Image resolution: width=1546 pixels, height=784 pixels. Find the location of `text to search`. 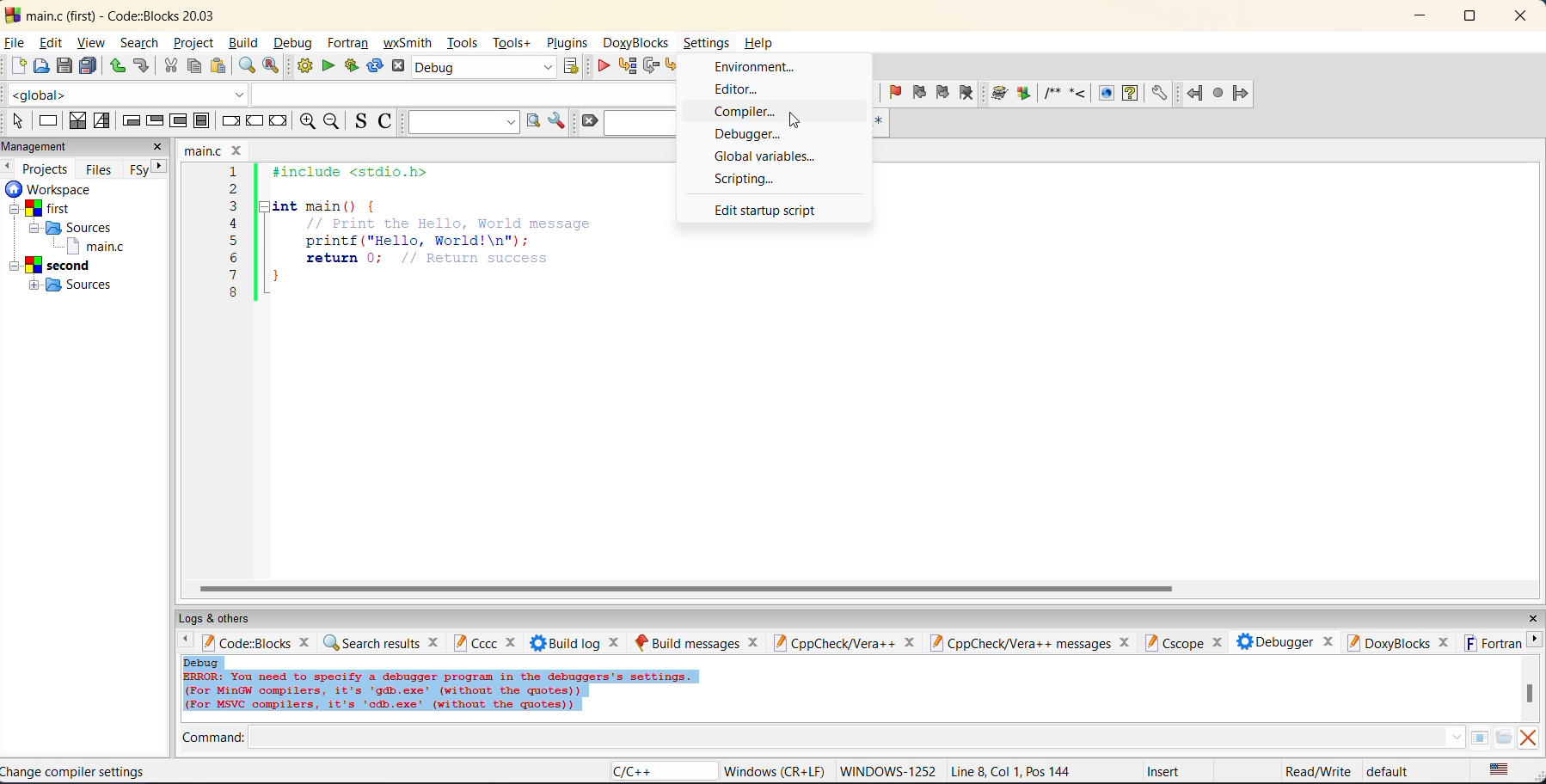

text to search is located at coordinates (466, 122).